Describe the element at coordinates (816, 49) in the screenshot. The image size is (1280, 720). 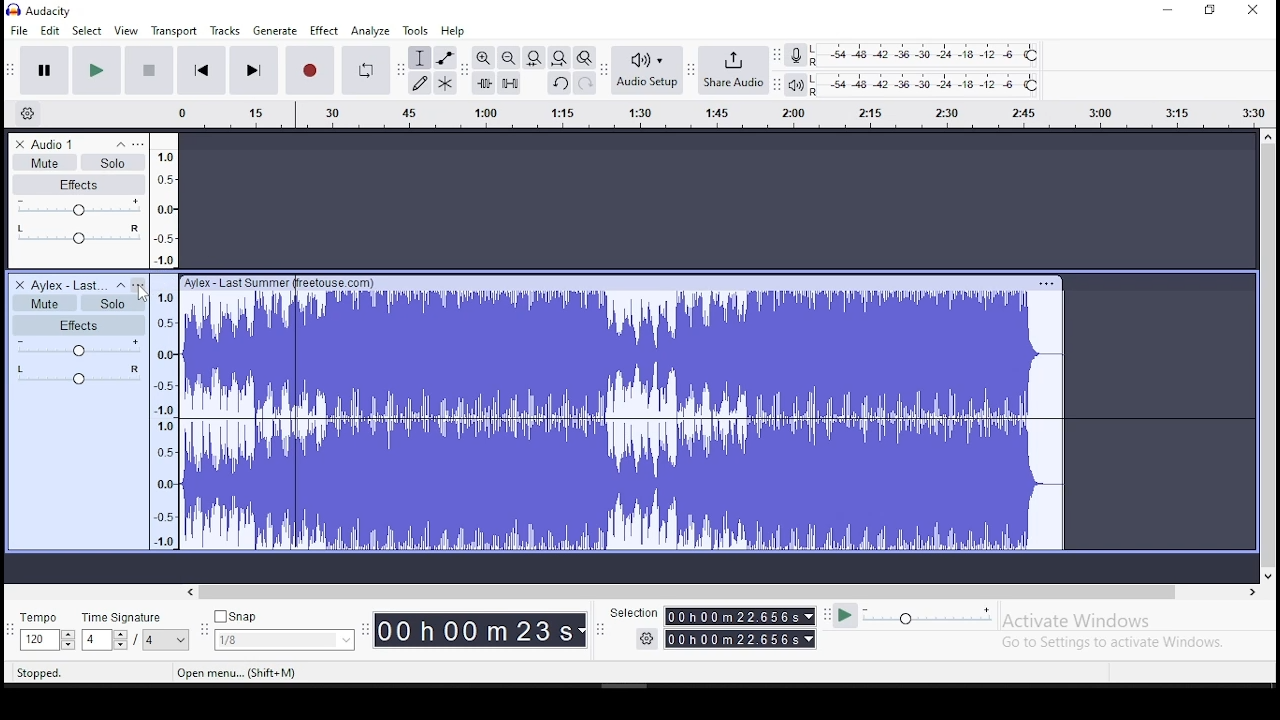
I see `L` at that location.